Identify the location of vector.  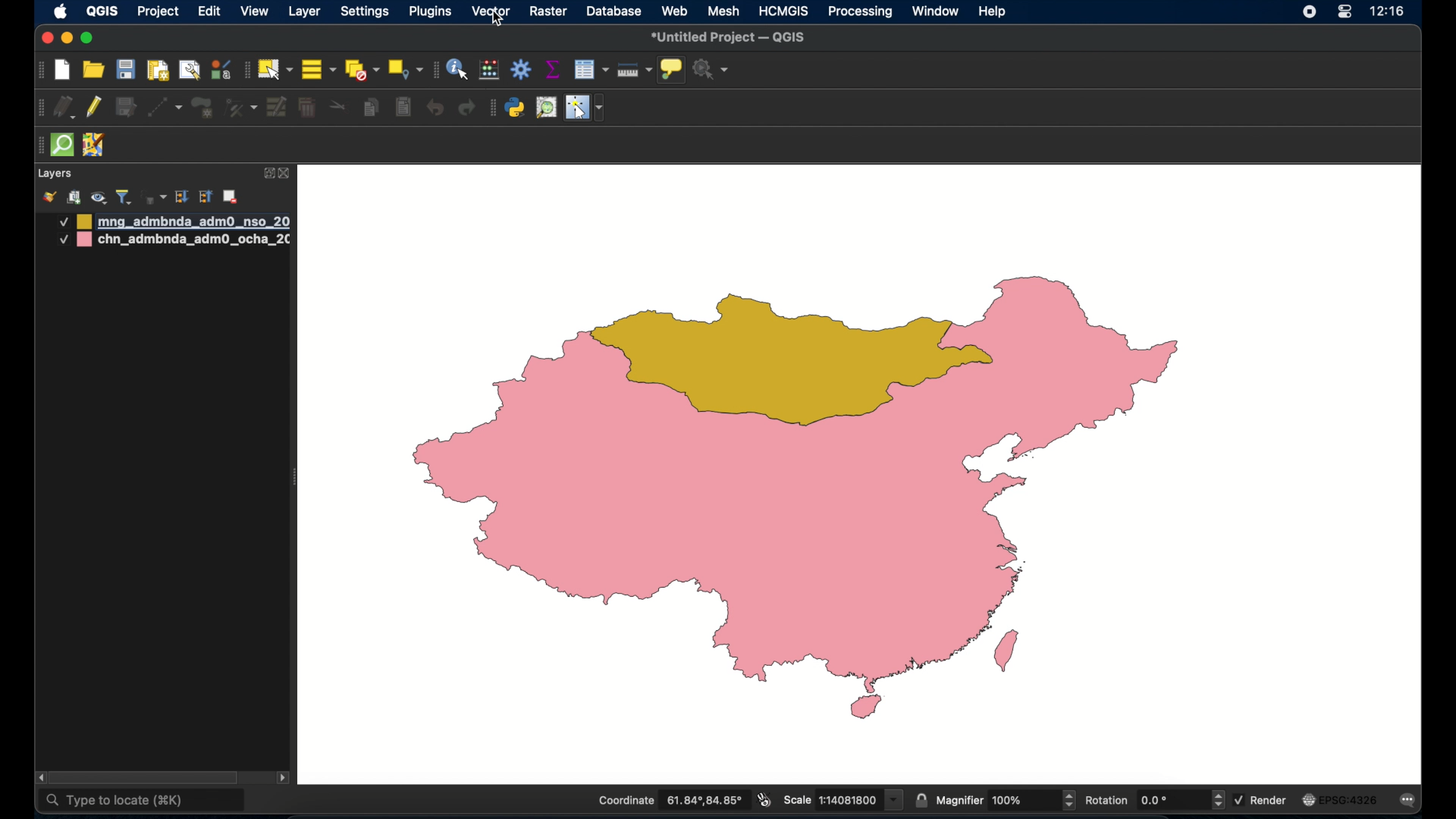
(491, 11).